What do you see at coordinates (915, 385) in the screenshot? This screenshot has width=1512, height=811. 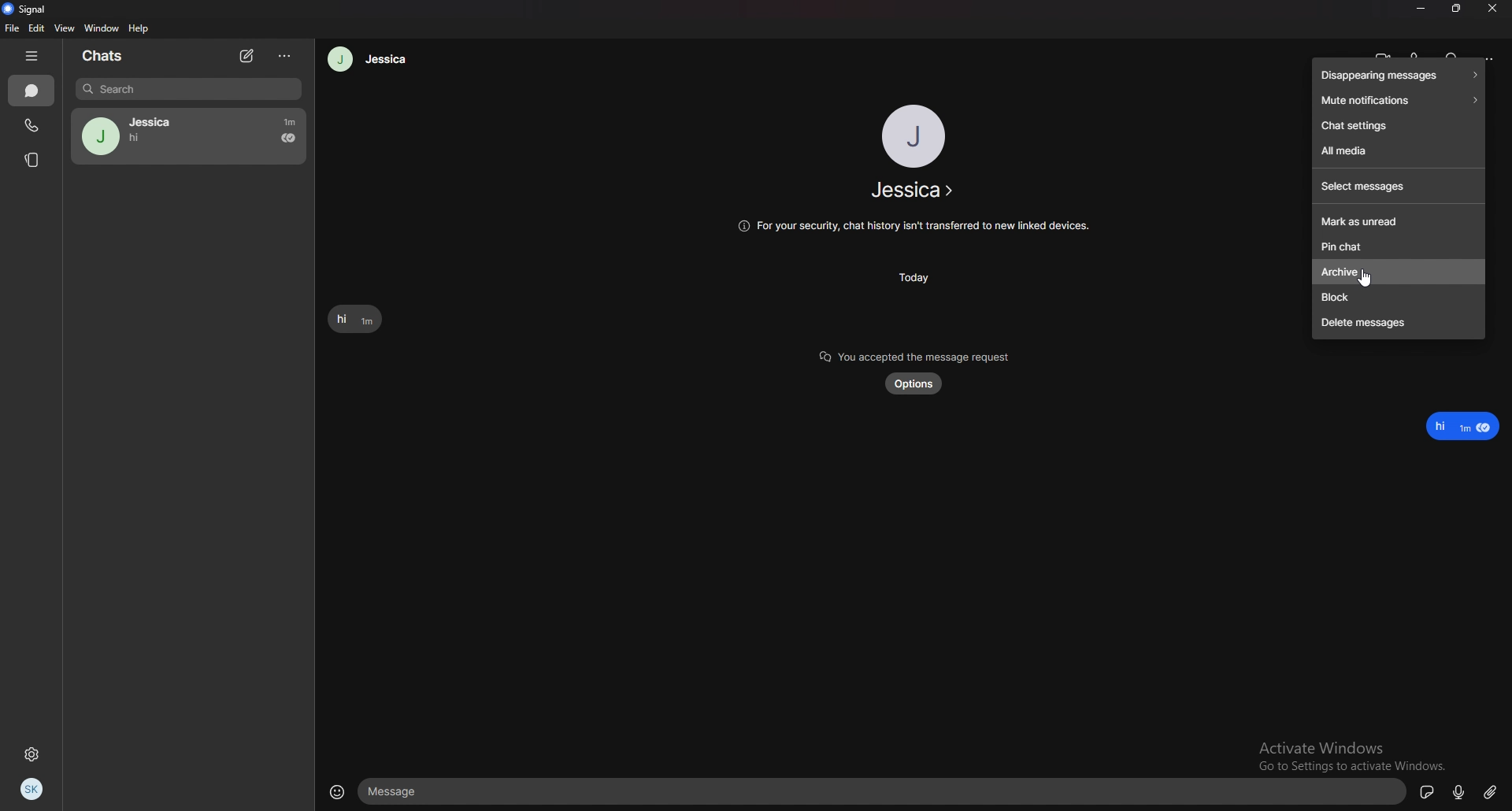 I see `Options` at bounding box center [915, 385].